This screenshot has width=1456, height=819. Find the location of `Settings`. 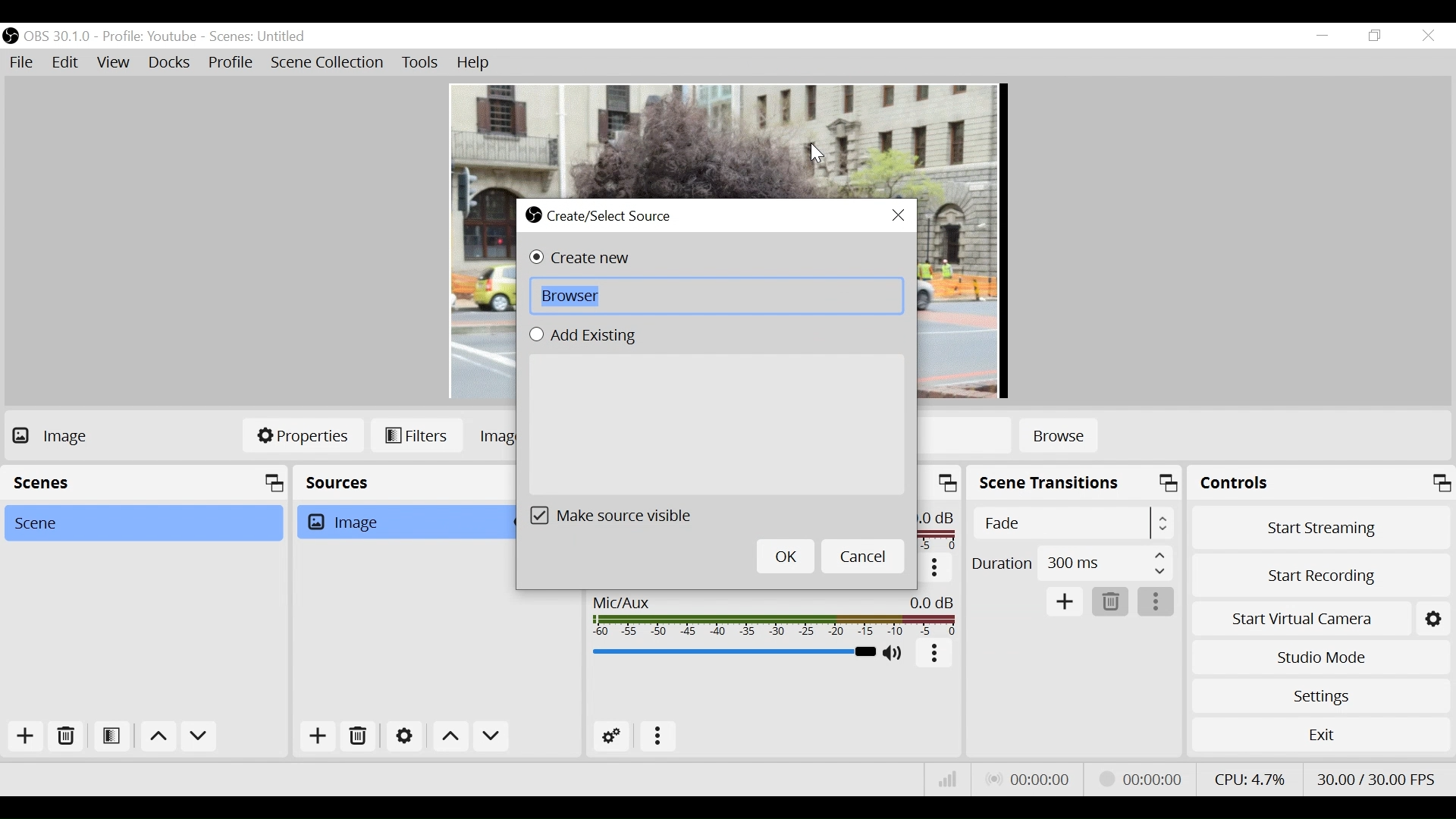

Settings is located at coordinates (1431, 620).